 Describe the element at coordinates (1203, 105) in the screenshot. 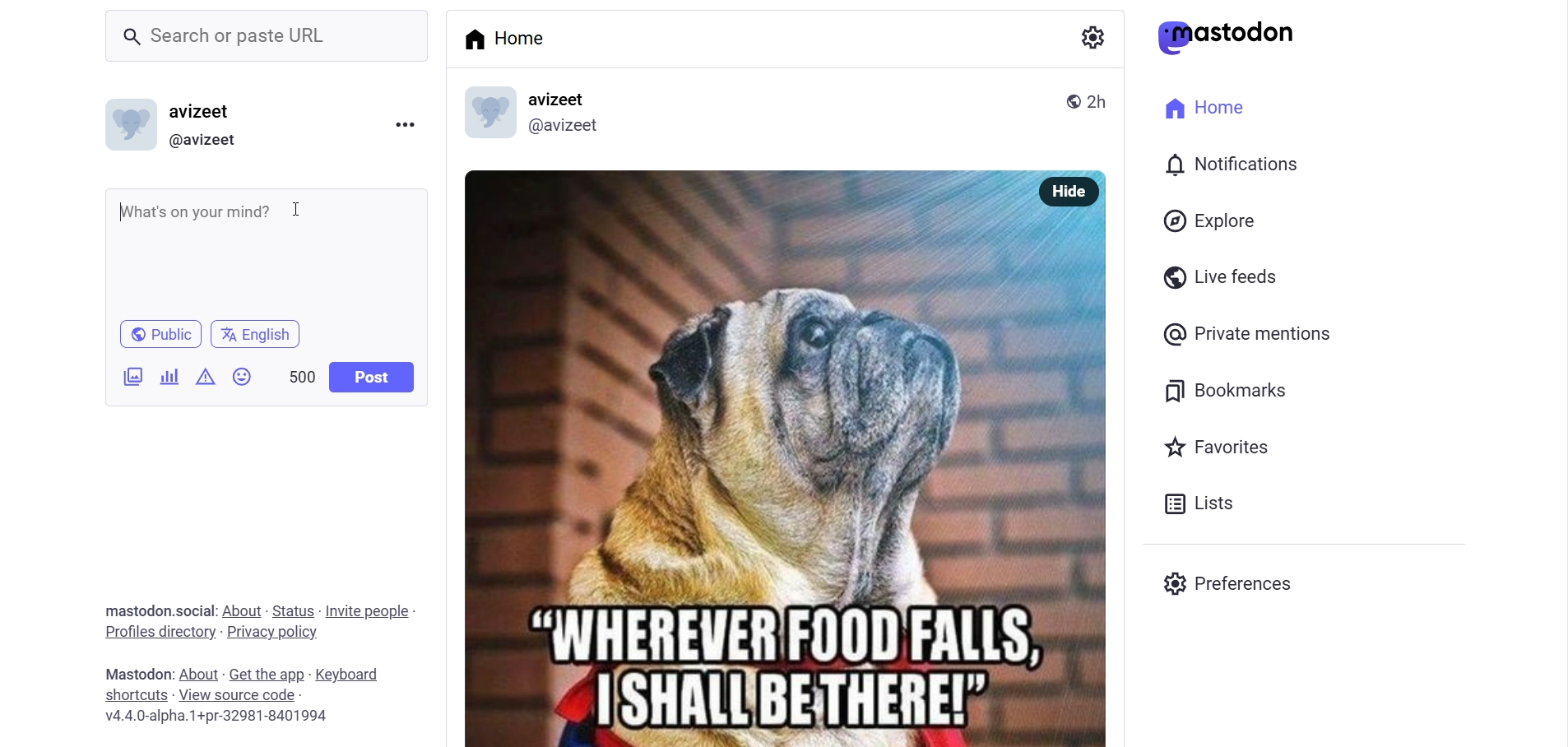

I see `Home` at that location.